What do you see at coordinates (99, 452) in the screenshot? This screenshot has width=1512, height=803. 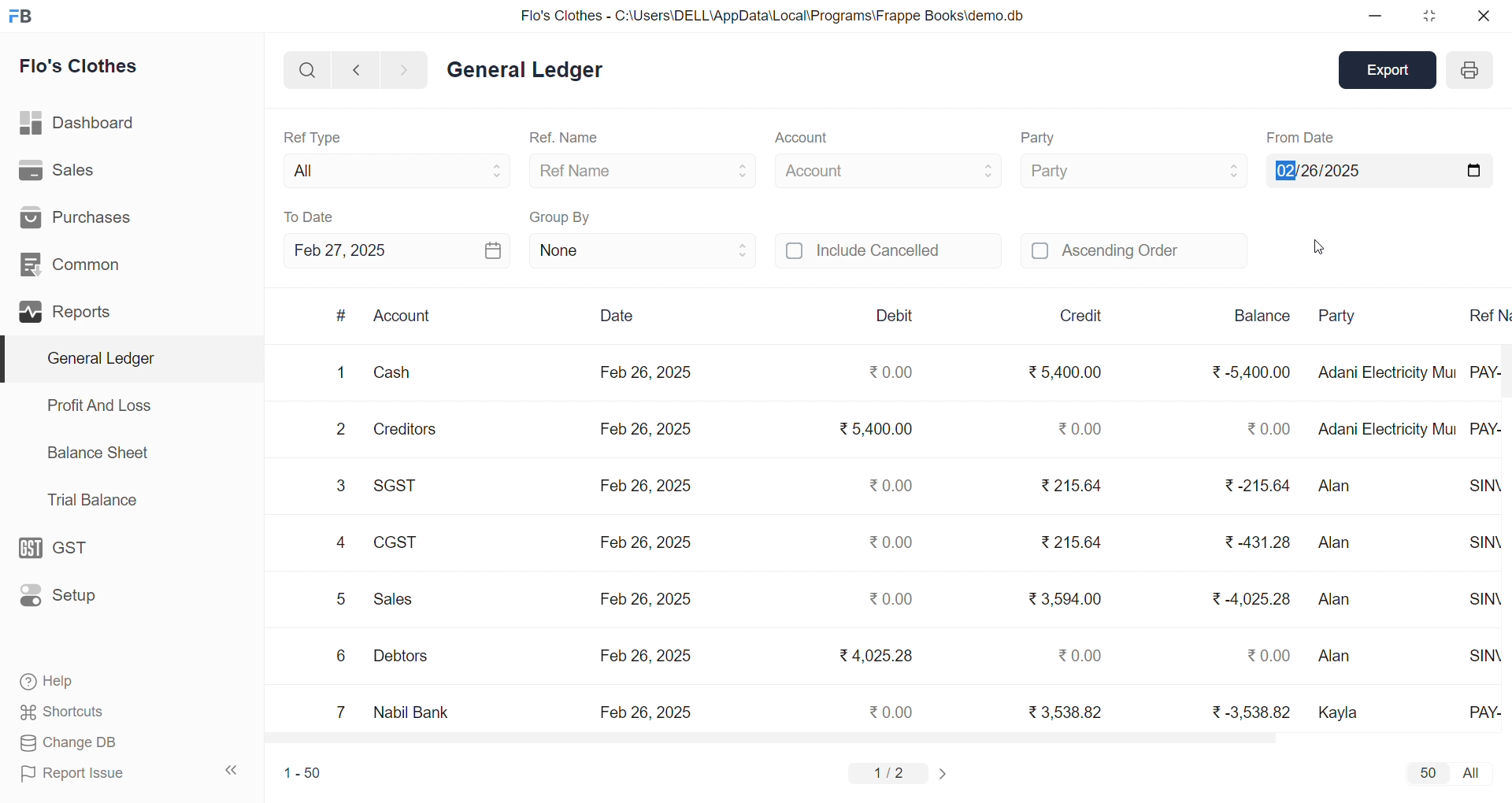 I see `Balance Sheet` at bounding box center [99, 452].